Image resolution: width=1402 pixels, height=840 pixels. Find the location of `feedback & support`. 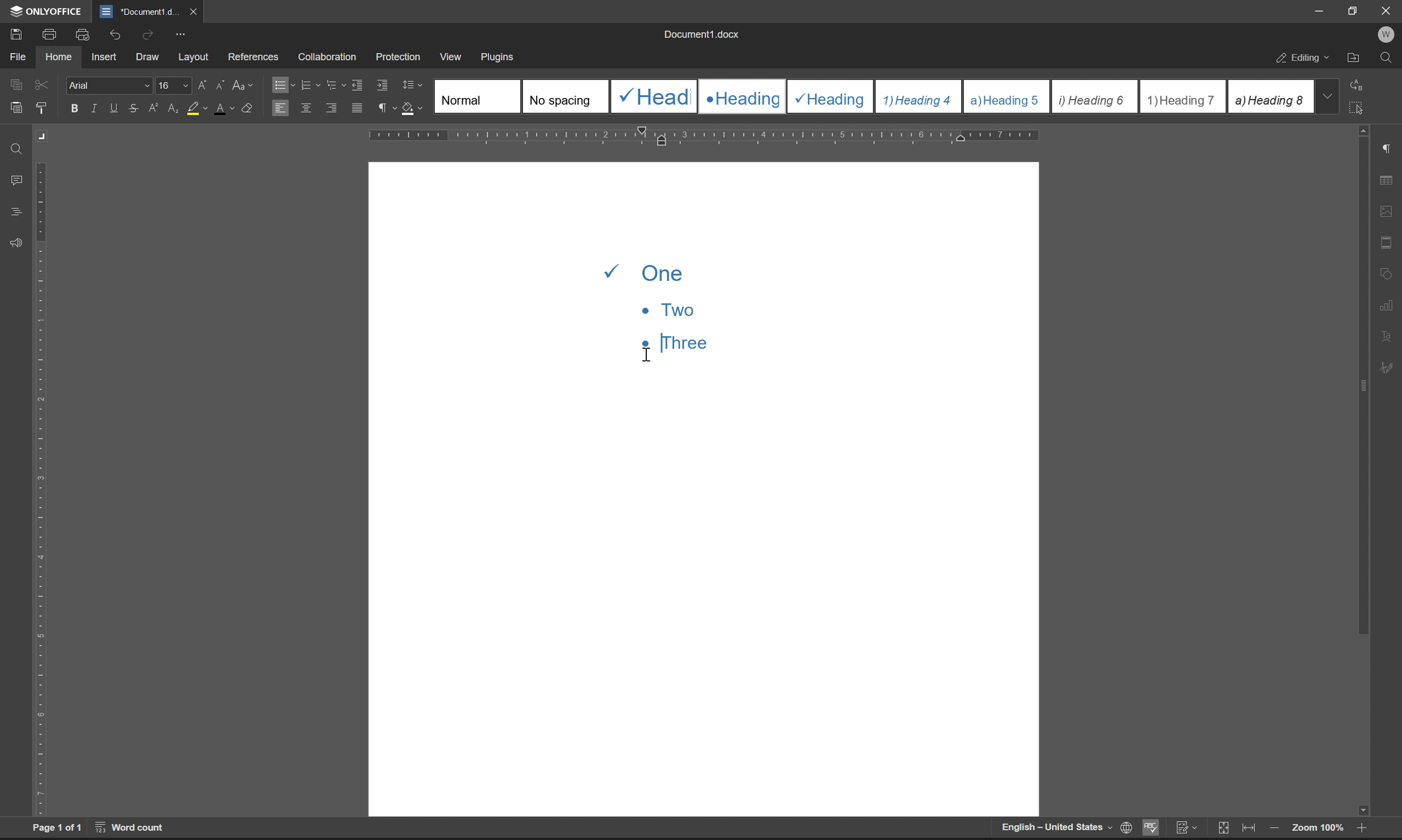

feedback & support is located at coordinates (17, 244).